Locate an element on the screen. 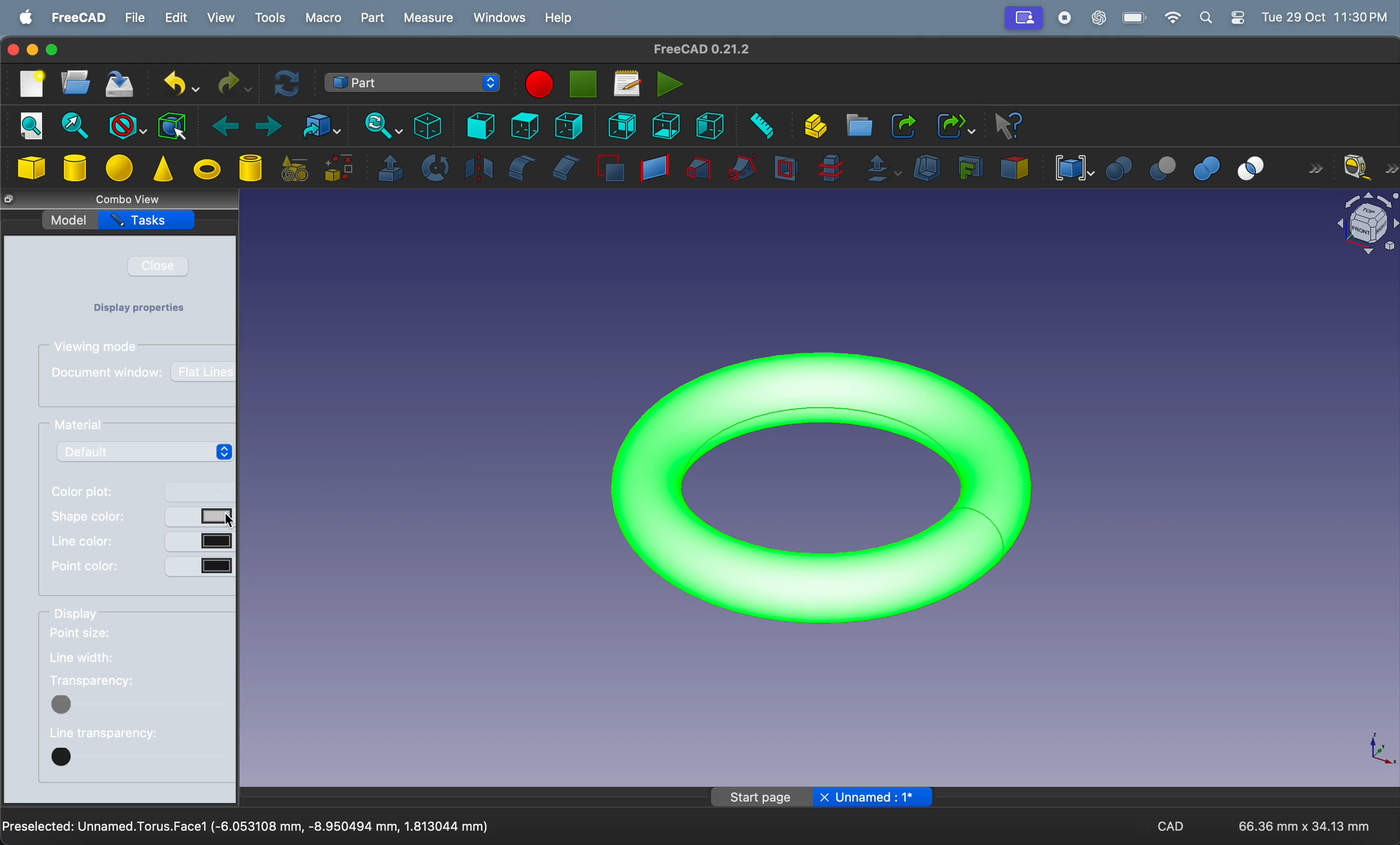 Image resolution: width=1400 pixels, height=845 pixels. button is located at coordinates (200, 492).